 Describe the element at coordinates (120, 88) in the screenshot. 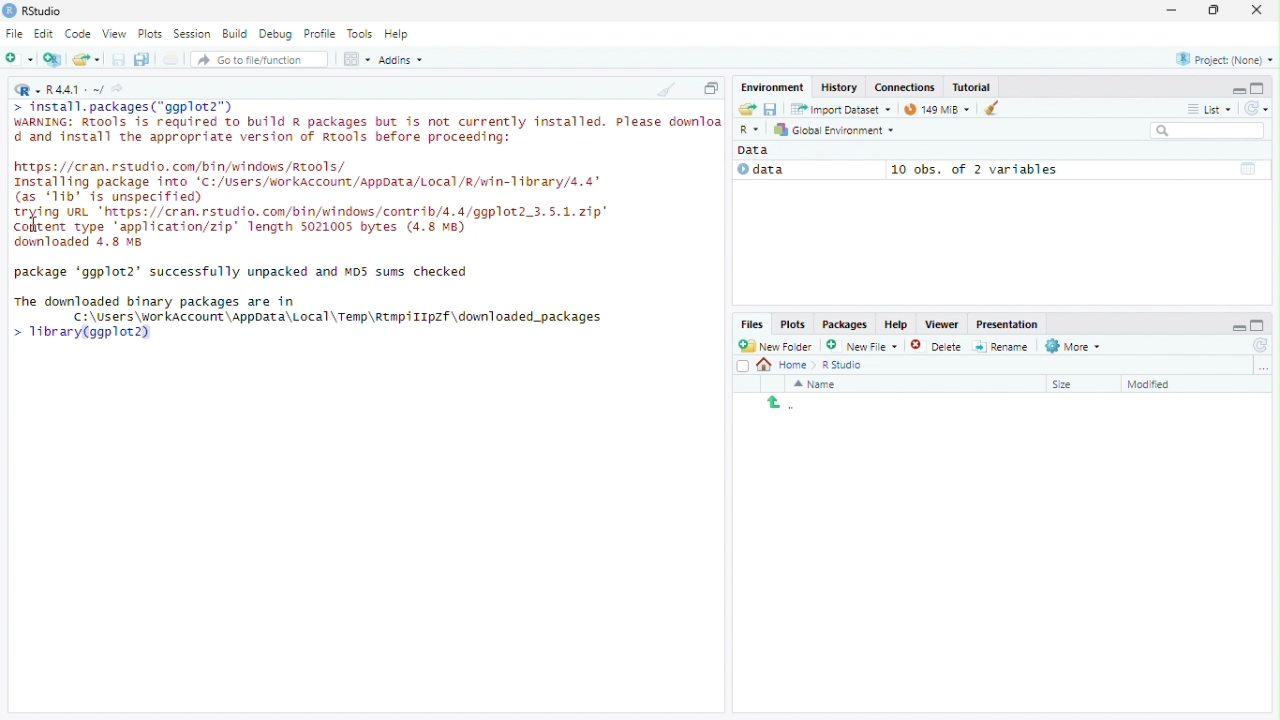

I see `View current working directory` at that location.